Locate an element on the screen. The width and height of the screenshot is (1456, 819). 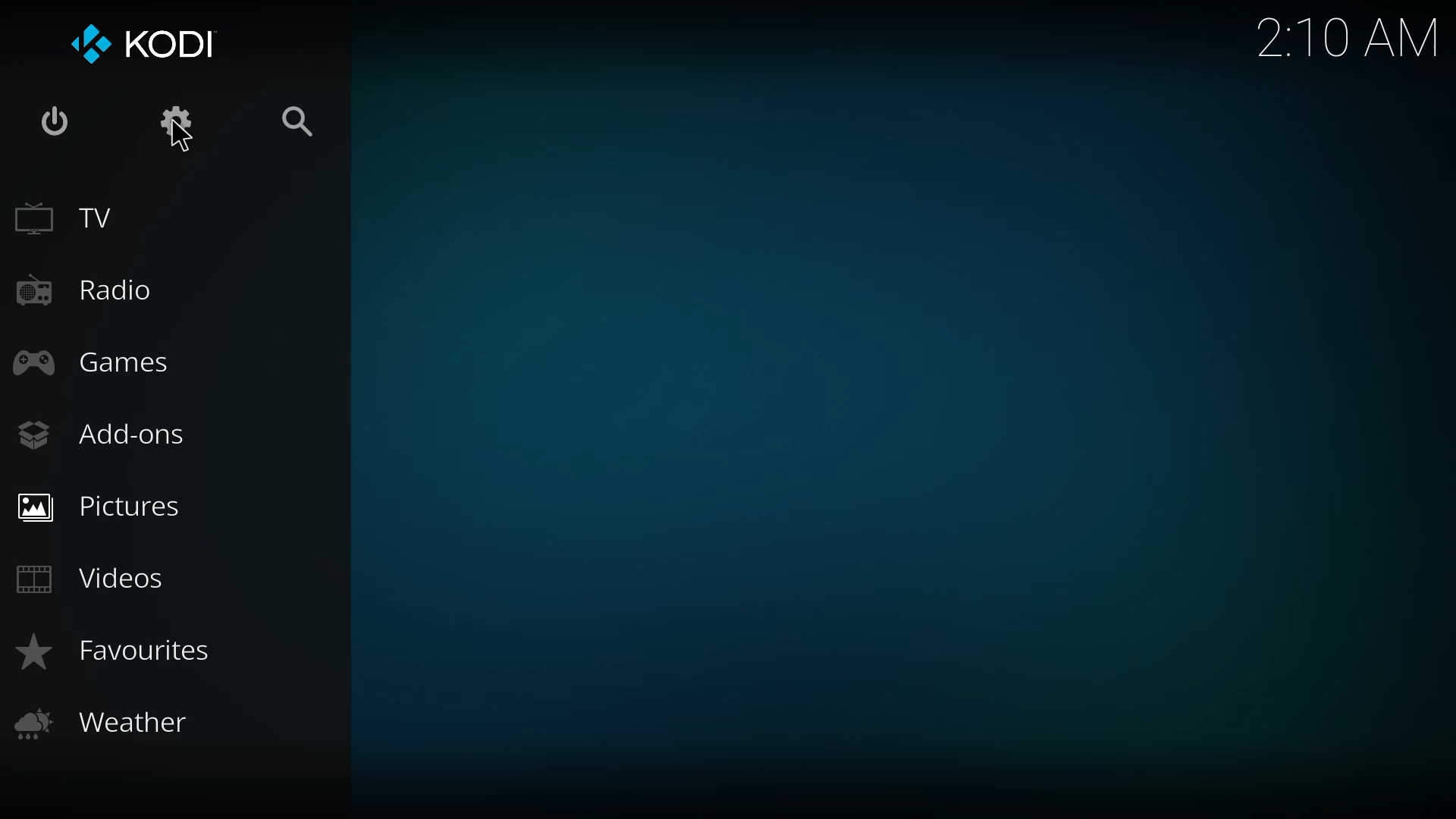
radio is located at coordinates (93, 288).